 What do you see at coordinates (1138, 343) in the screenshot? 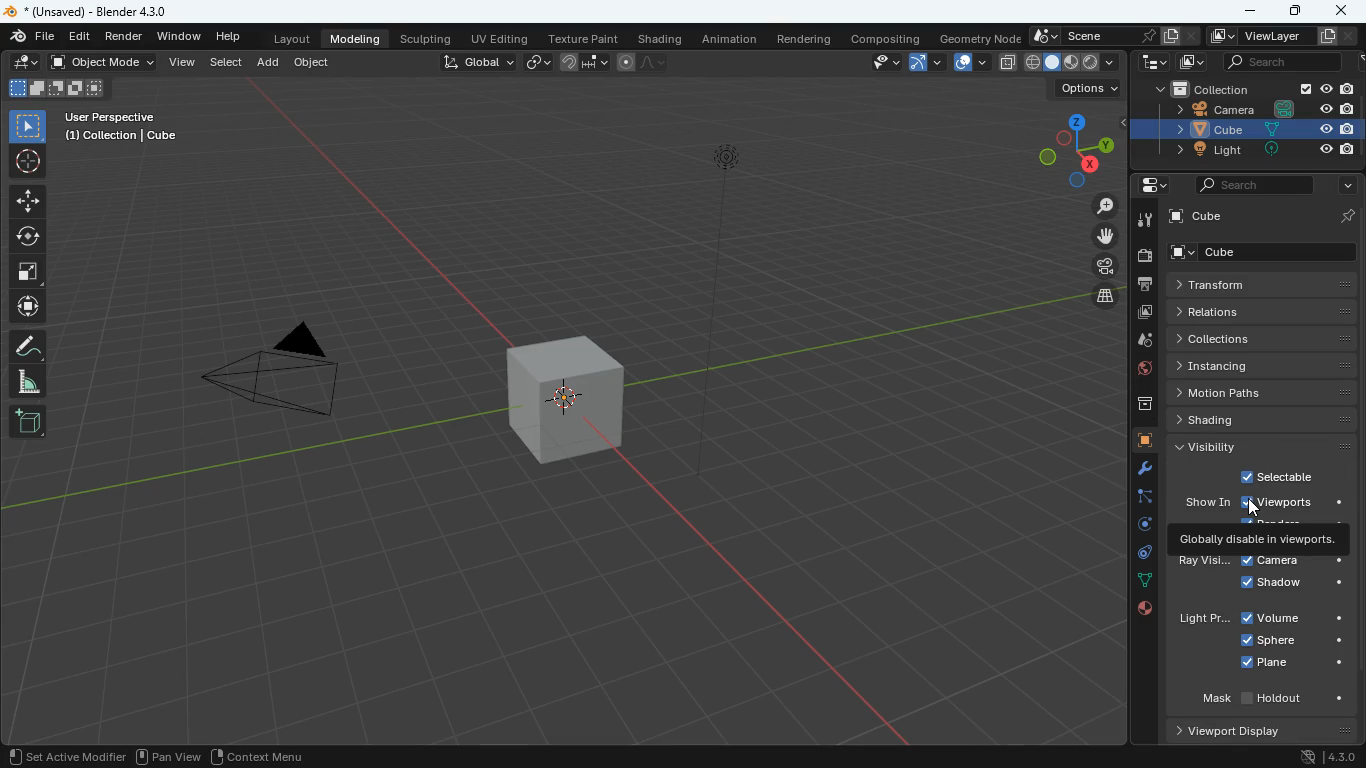
I see `drop` at bounding box center [1138, 343].